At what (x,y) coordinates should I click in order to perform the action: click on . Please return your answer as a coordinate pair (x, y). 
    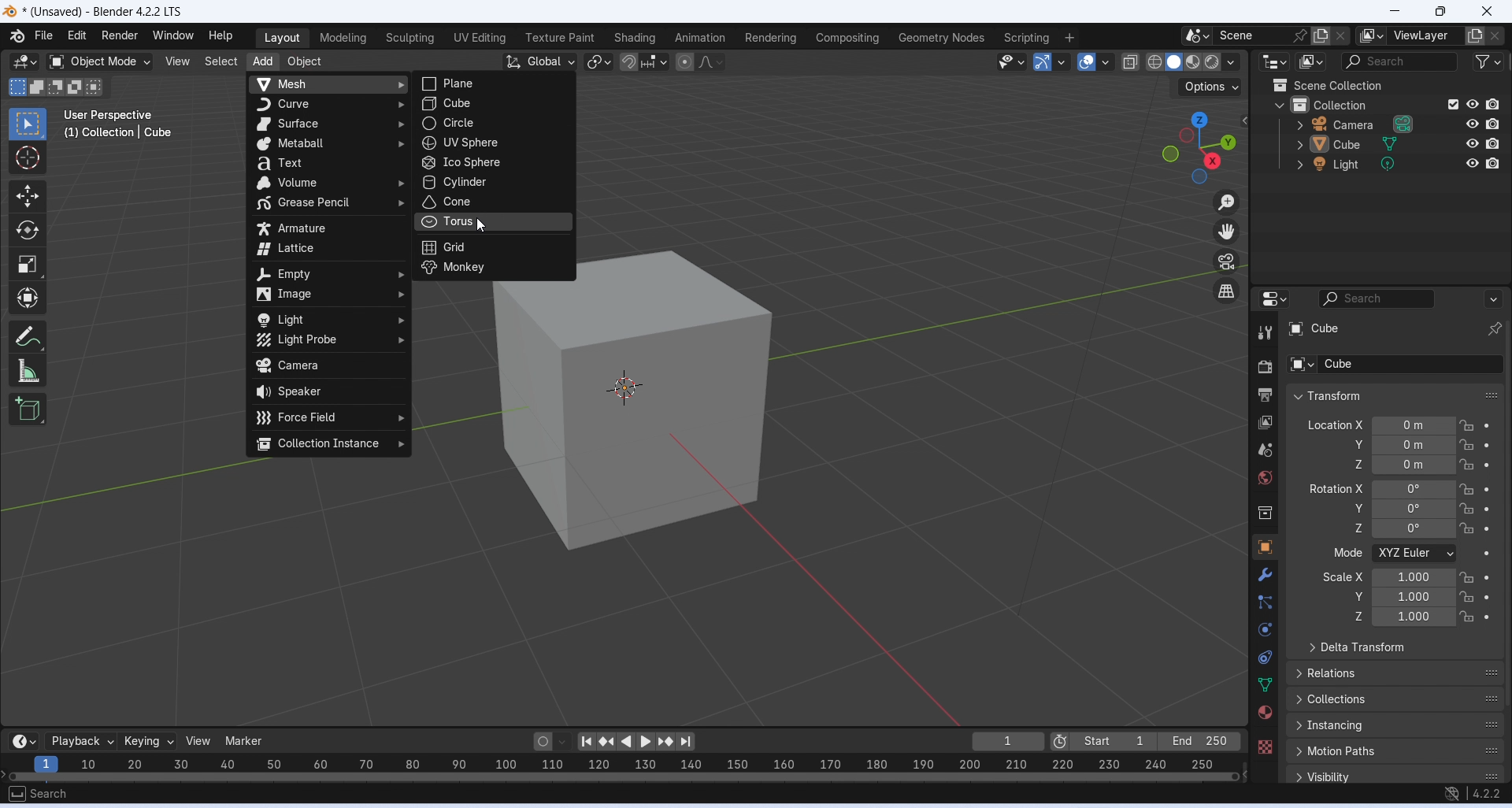
    Looking at the image, I should click on (1267, 450).